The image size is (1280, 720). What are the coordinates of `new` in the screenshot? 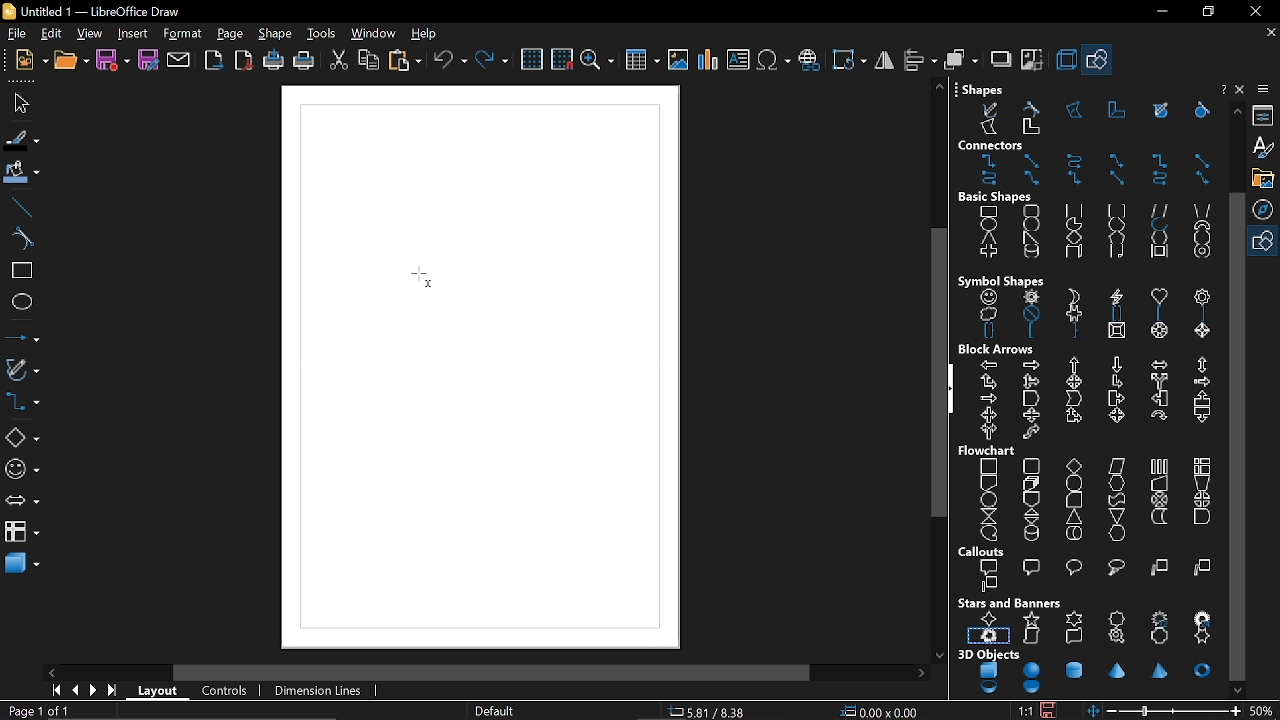 It's located at (31, 61).